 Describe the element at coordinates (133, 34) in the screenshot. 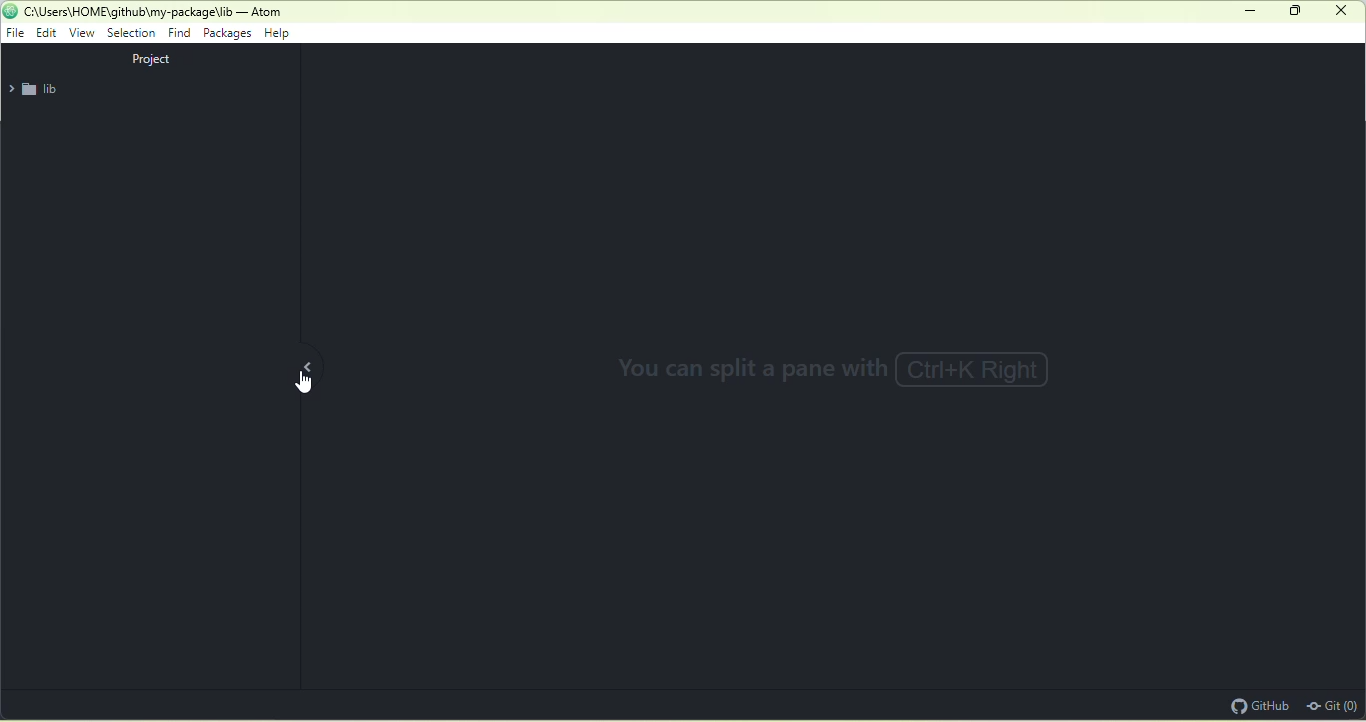

I see `selection` at that location.